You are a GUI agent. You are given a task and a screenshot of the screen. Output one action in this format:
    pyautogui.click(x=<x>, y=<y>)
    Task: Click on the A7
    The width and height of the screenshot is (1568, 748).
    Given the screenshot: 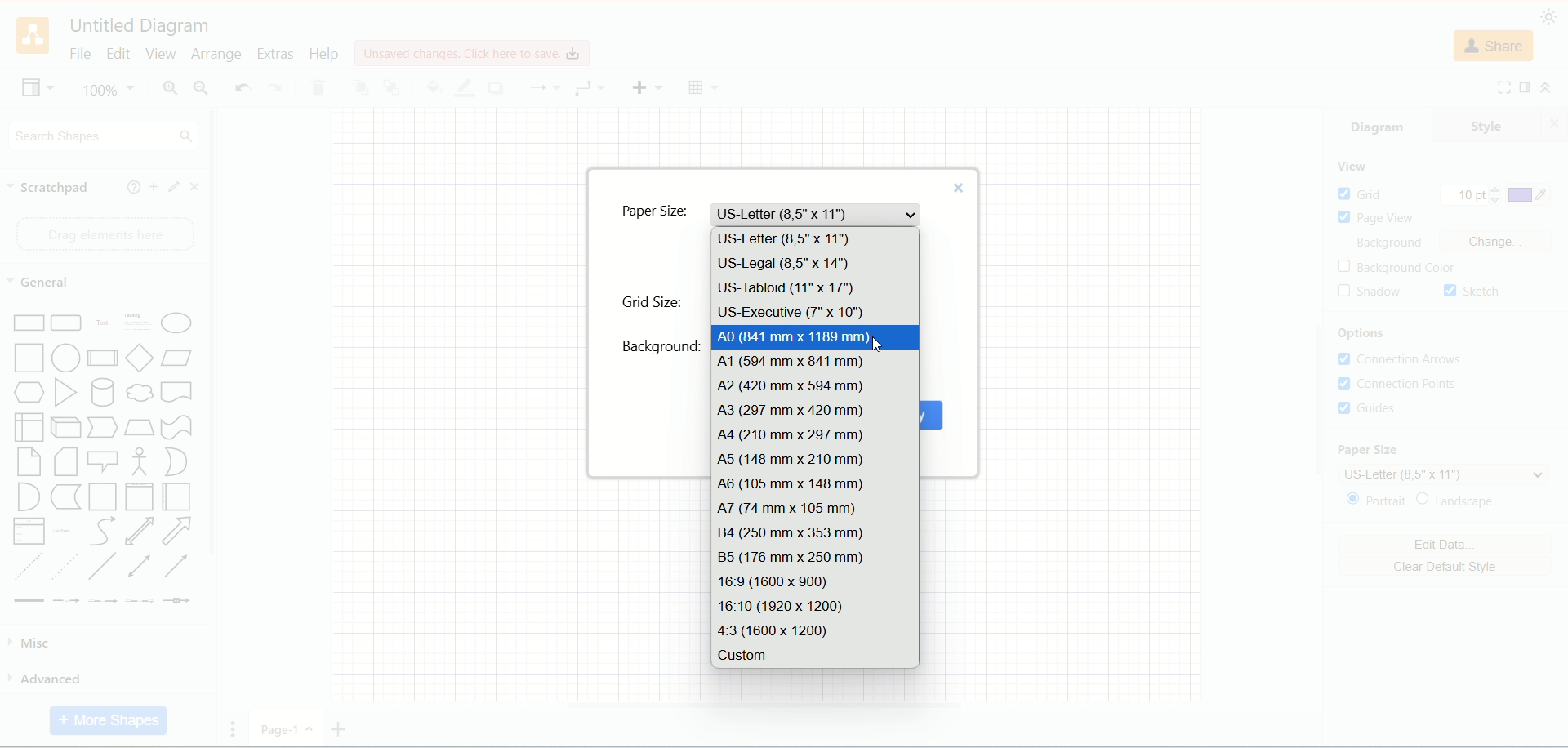 What is the action you would take?
    pyautogui.click(x=815, y=506)
    